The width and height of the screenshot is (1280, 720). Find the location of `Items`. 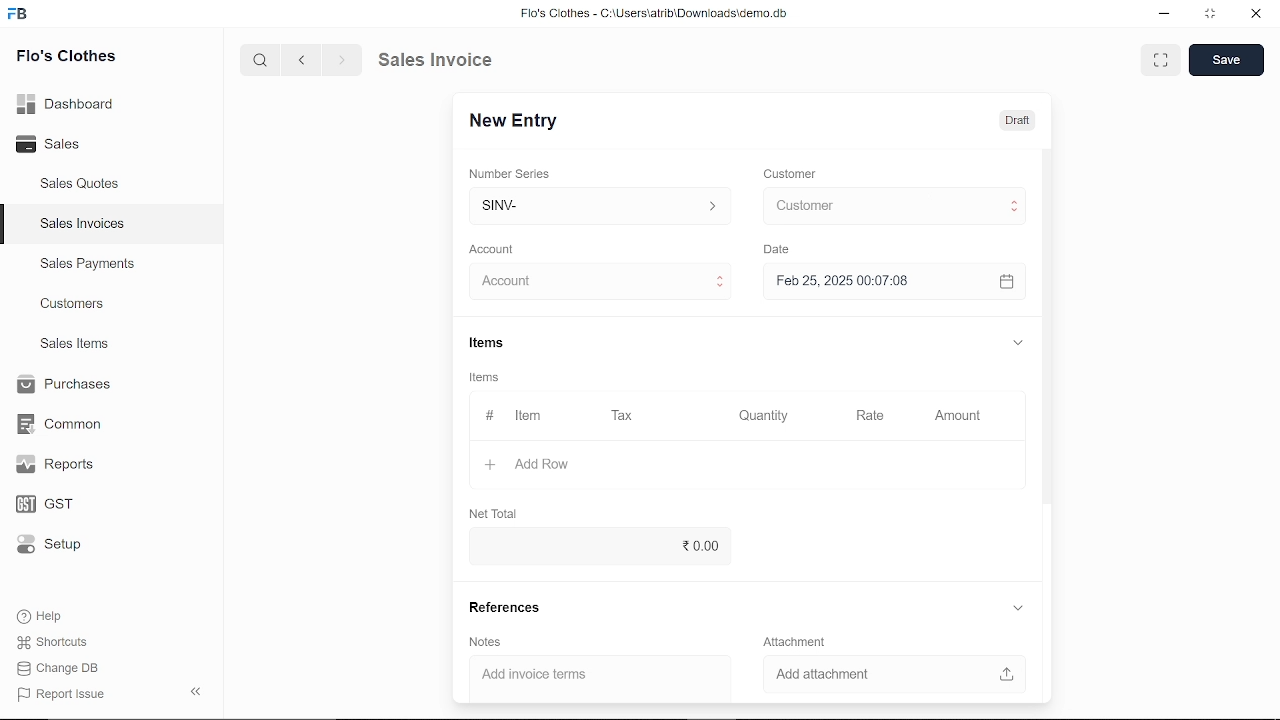

Items is located at coordinates (491, 343).